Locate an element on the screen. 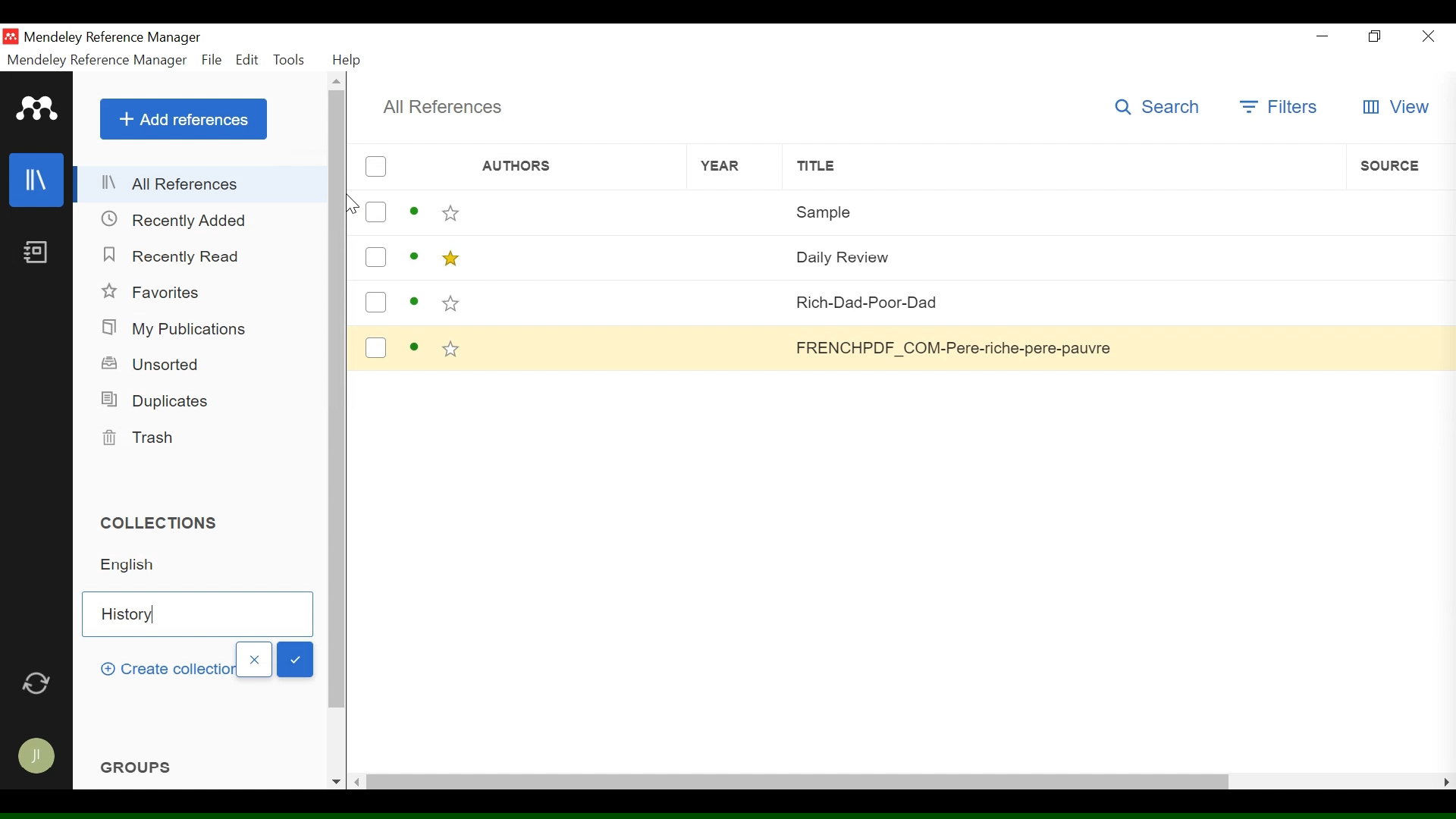 This screenshot has width=1456, height=819. Create Collecion is located at coordinates (164, 669).